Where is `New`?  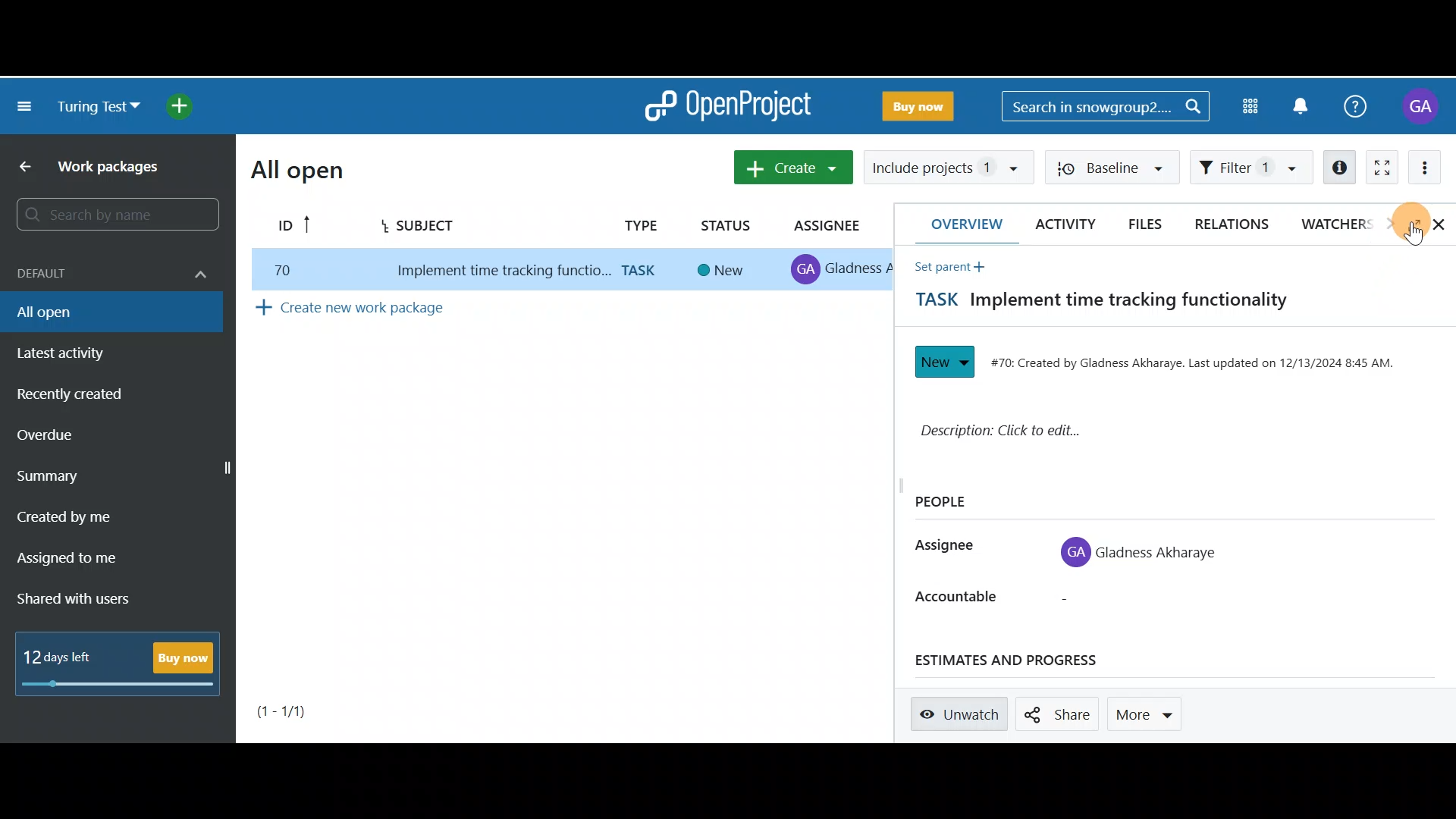 New is located at coordinates (728, 270).